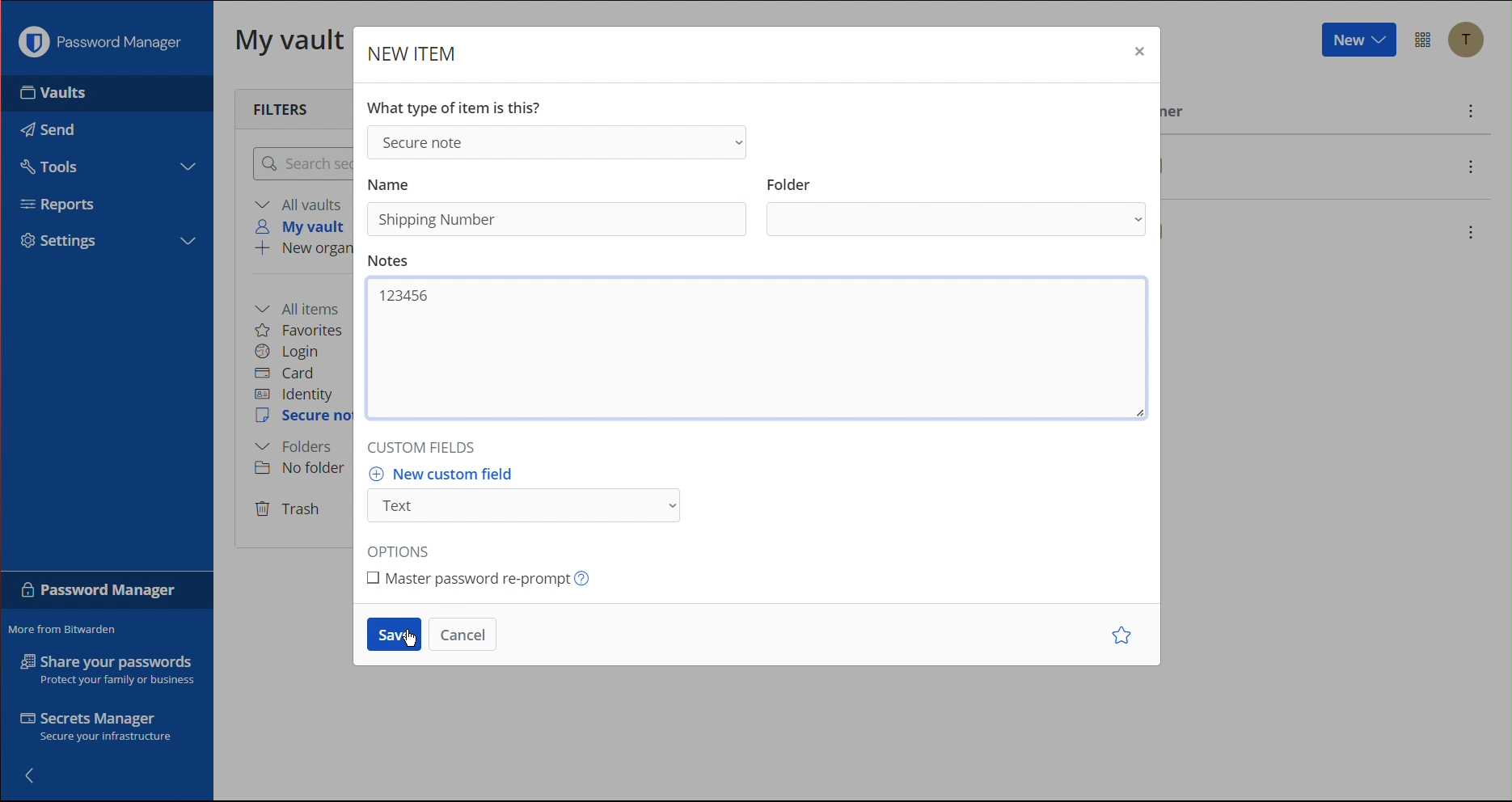  I want to click on Master Password Re-Prompt, so click(492, 583).